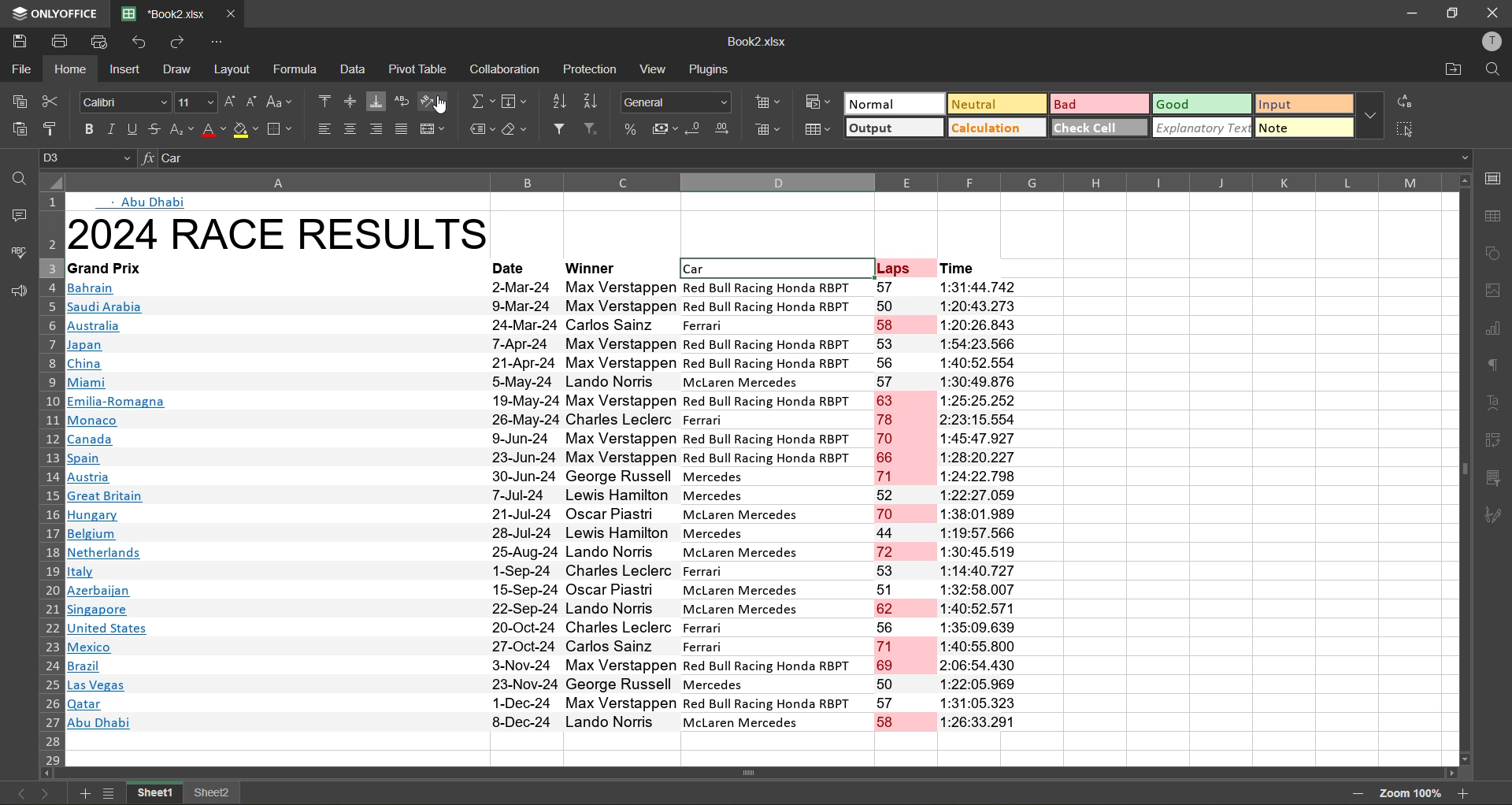 This screenshot has height=805, width=1512. What do you see at coordinates (18, 131) in the screenshot?
I see `paste` at bounding box center [18, 131].